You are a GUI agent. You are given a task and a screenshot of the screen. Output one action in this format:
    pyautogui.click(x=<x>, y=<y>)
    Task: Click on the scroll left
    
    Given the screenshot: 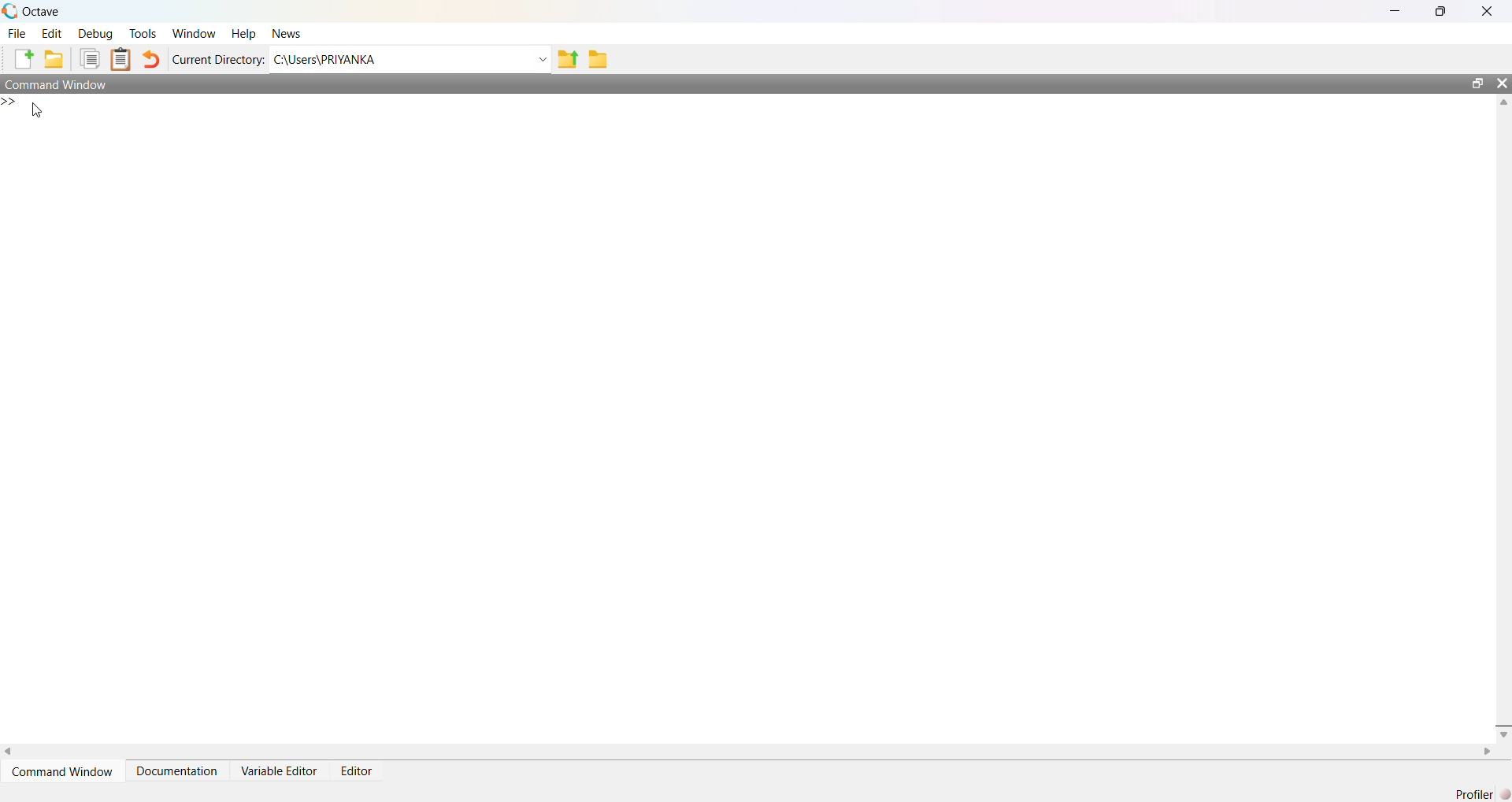 What is the action you would take?
    pyautogui.click(x=9, y=751)
    